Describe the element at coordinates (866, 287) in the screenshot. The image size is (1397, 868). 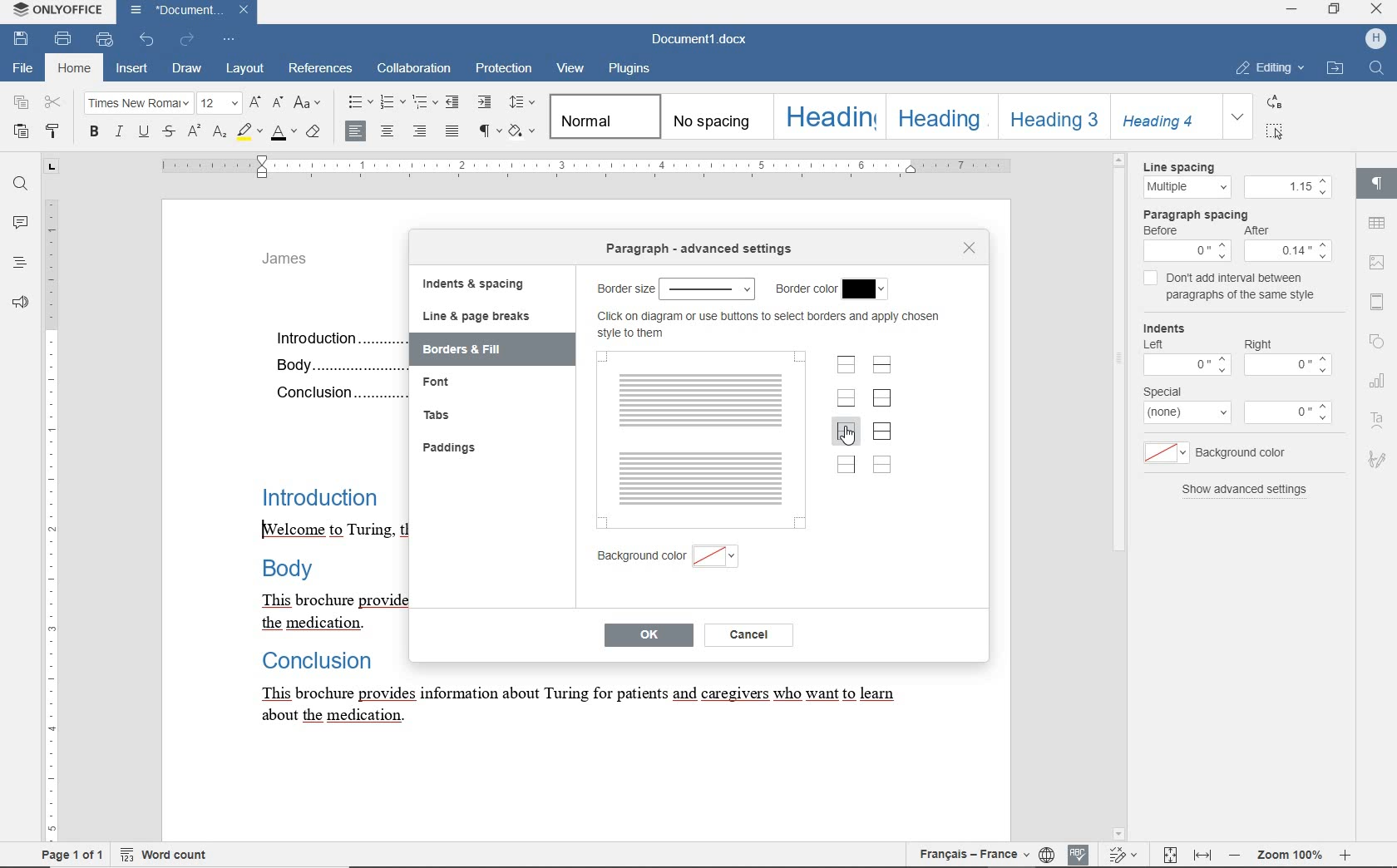
I see `color options` at that location.